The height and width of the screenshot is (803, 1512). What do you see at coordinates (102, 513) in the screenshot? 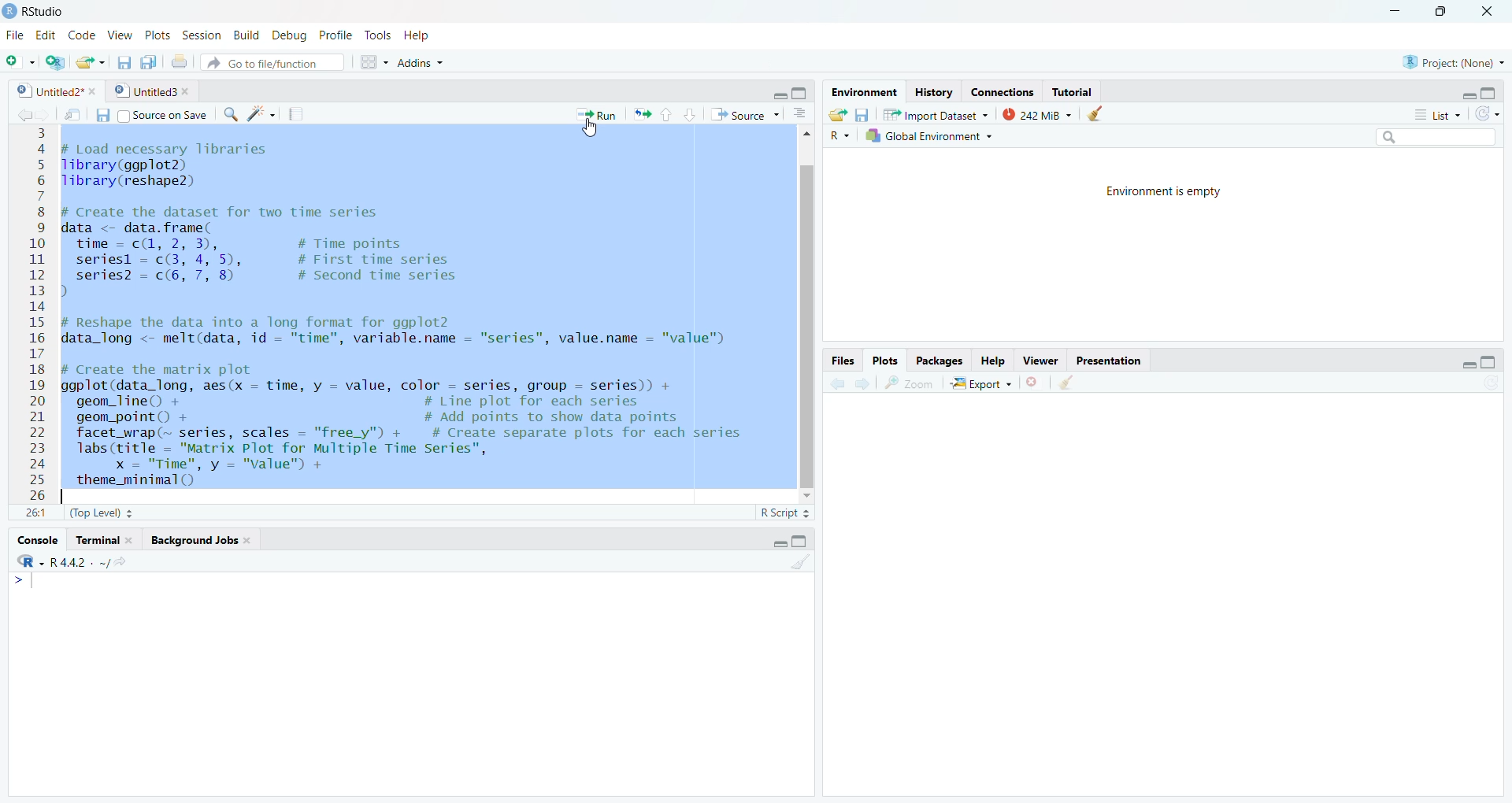
I see `(Top Level) 3` at bounding box center [102, 513].